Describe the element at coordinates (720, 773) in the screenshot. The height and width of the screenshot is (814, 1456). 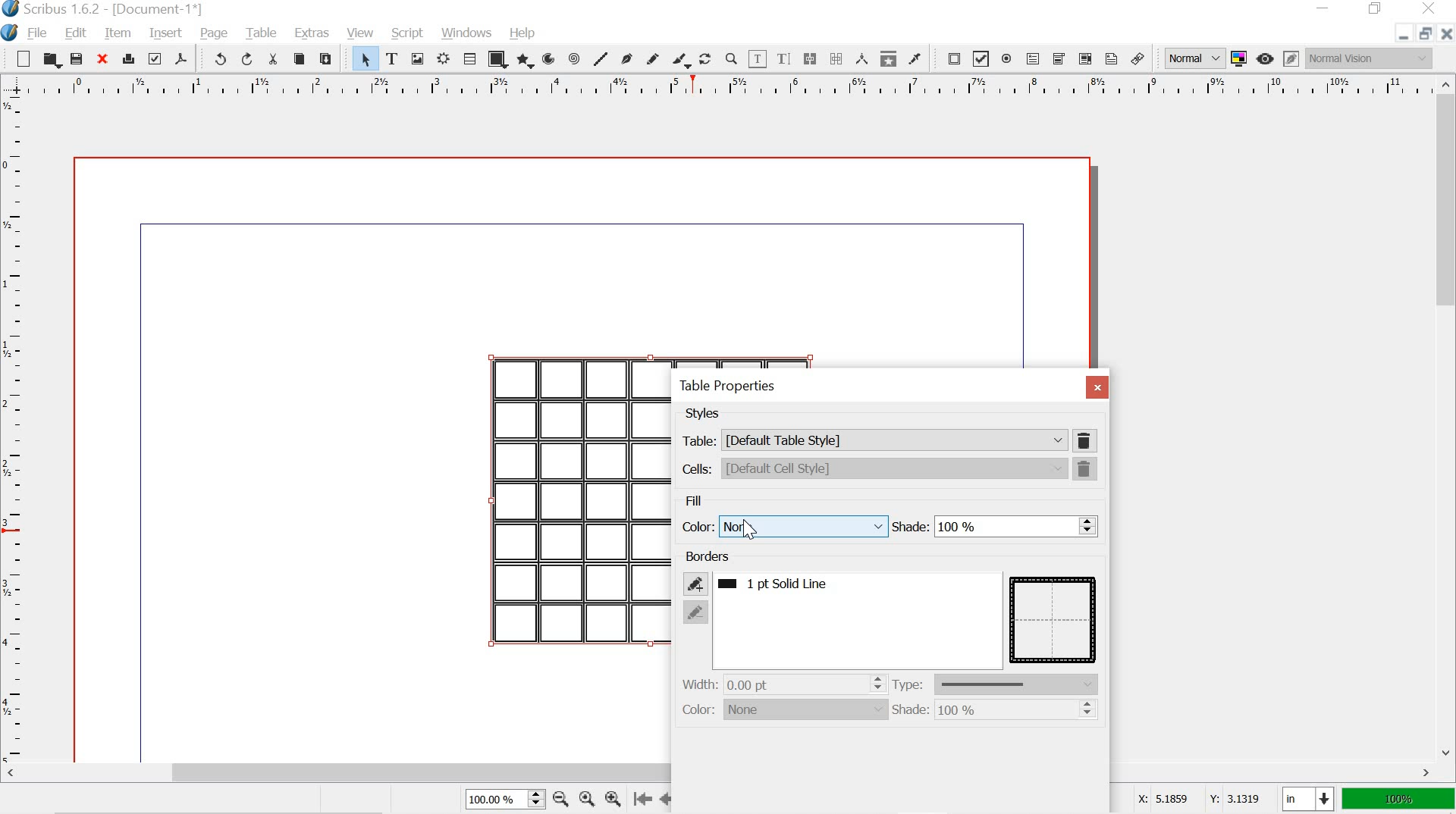
I see `scrollbar` at that location.